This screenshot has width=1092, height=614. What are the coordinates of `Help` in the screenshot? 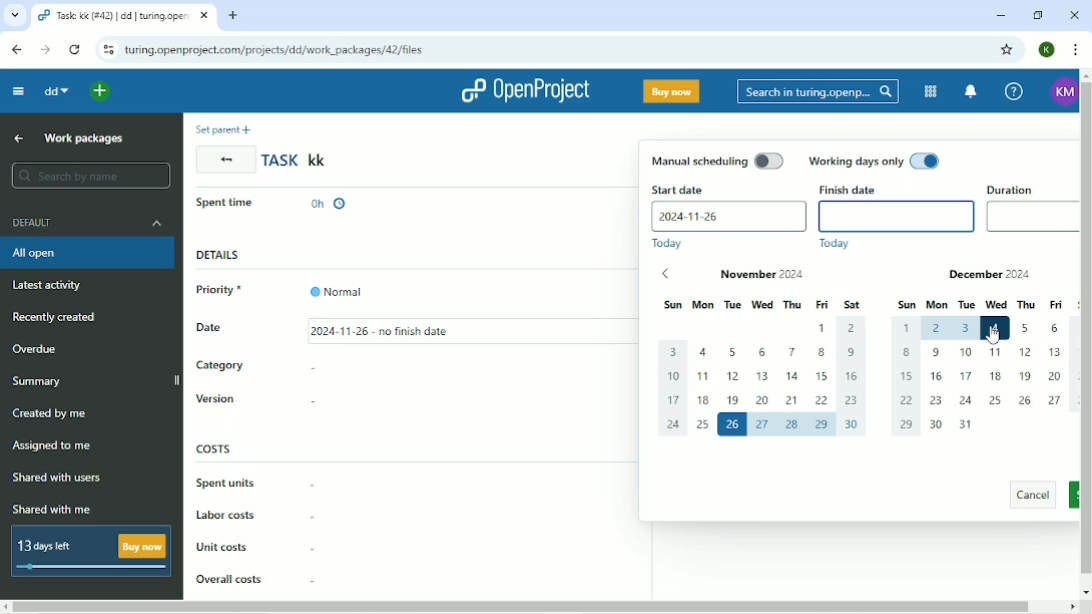 It's located at (1012, 91).